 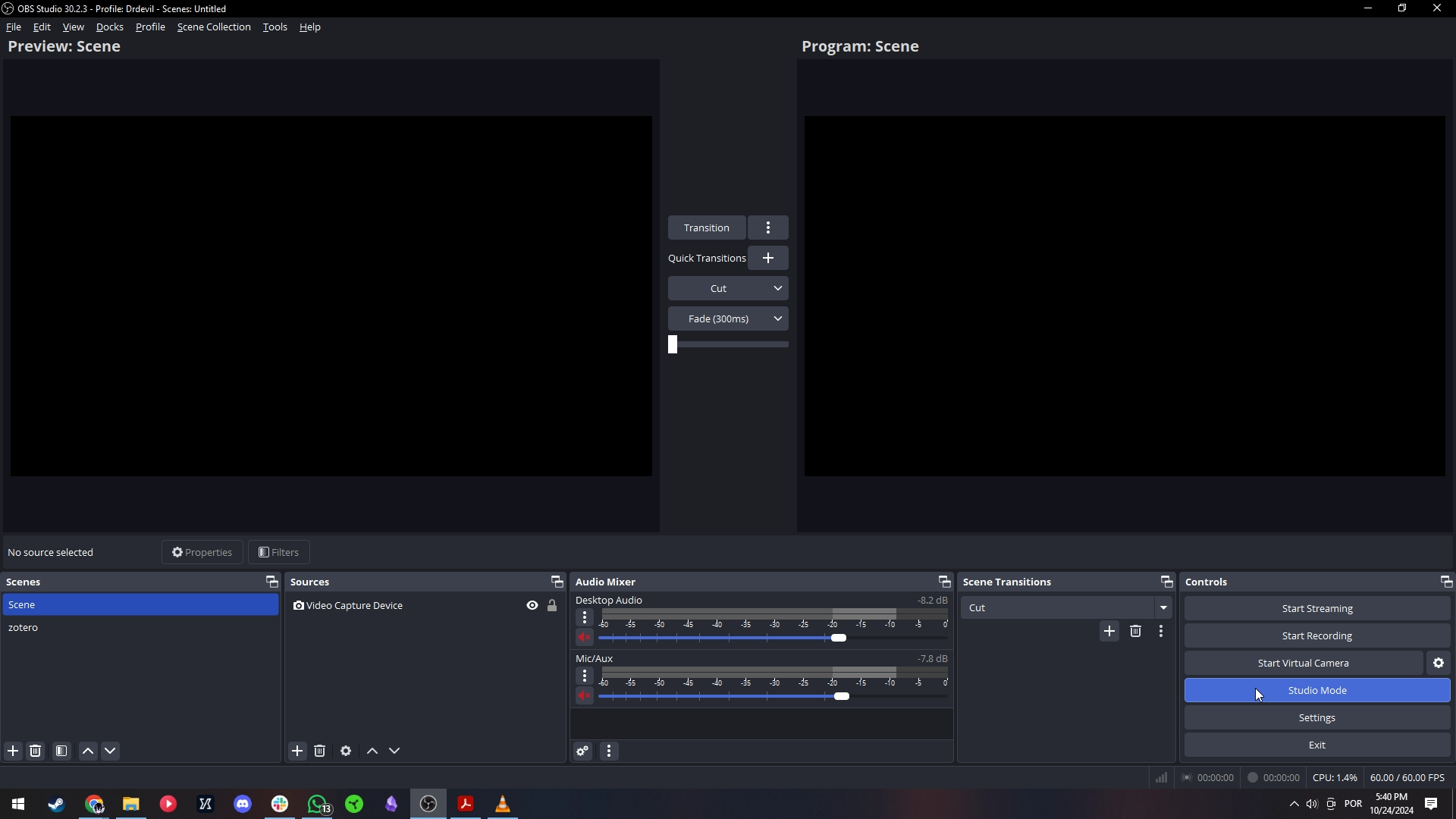 I want to click on Exit, so click(x=1319, y=745).